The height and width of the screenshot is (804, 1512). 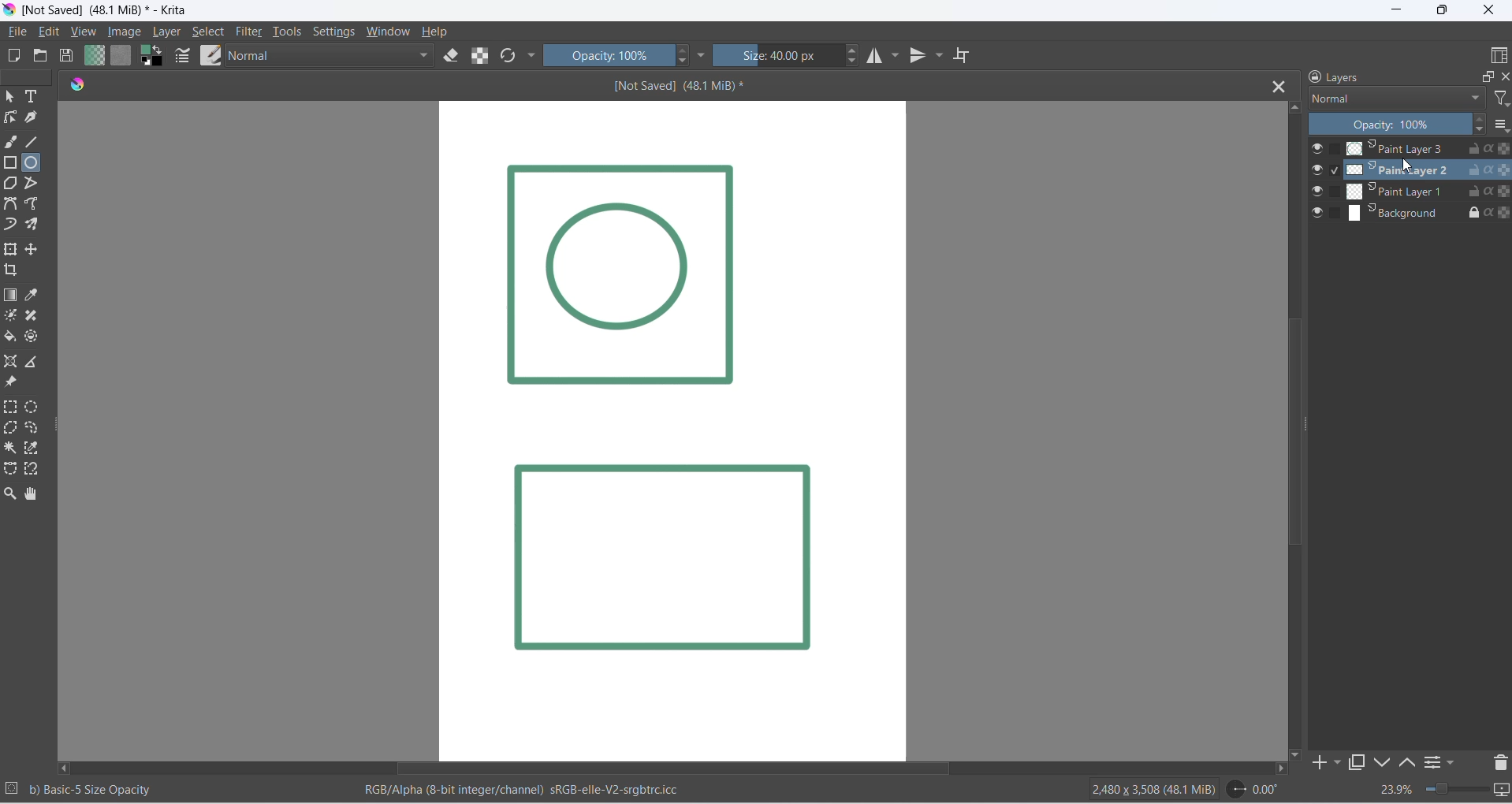 What do you see at coordinates (811, 769) in the screenshot?
I see `scrollbar` at bounding box center [811, 769].